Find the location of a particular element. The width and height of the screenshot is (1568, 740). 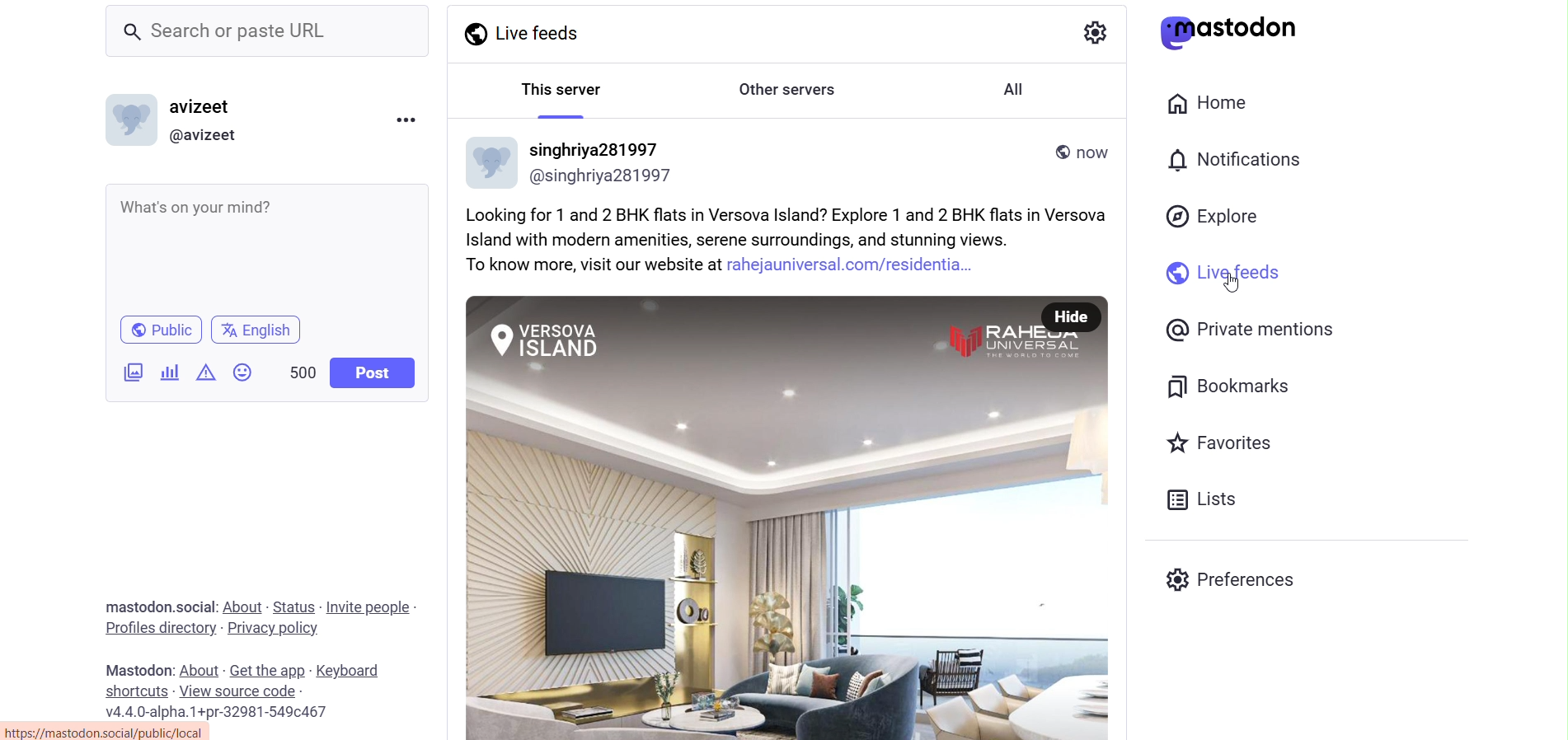

favorite is located at coordinates (1226, 447).